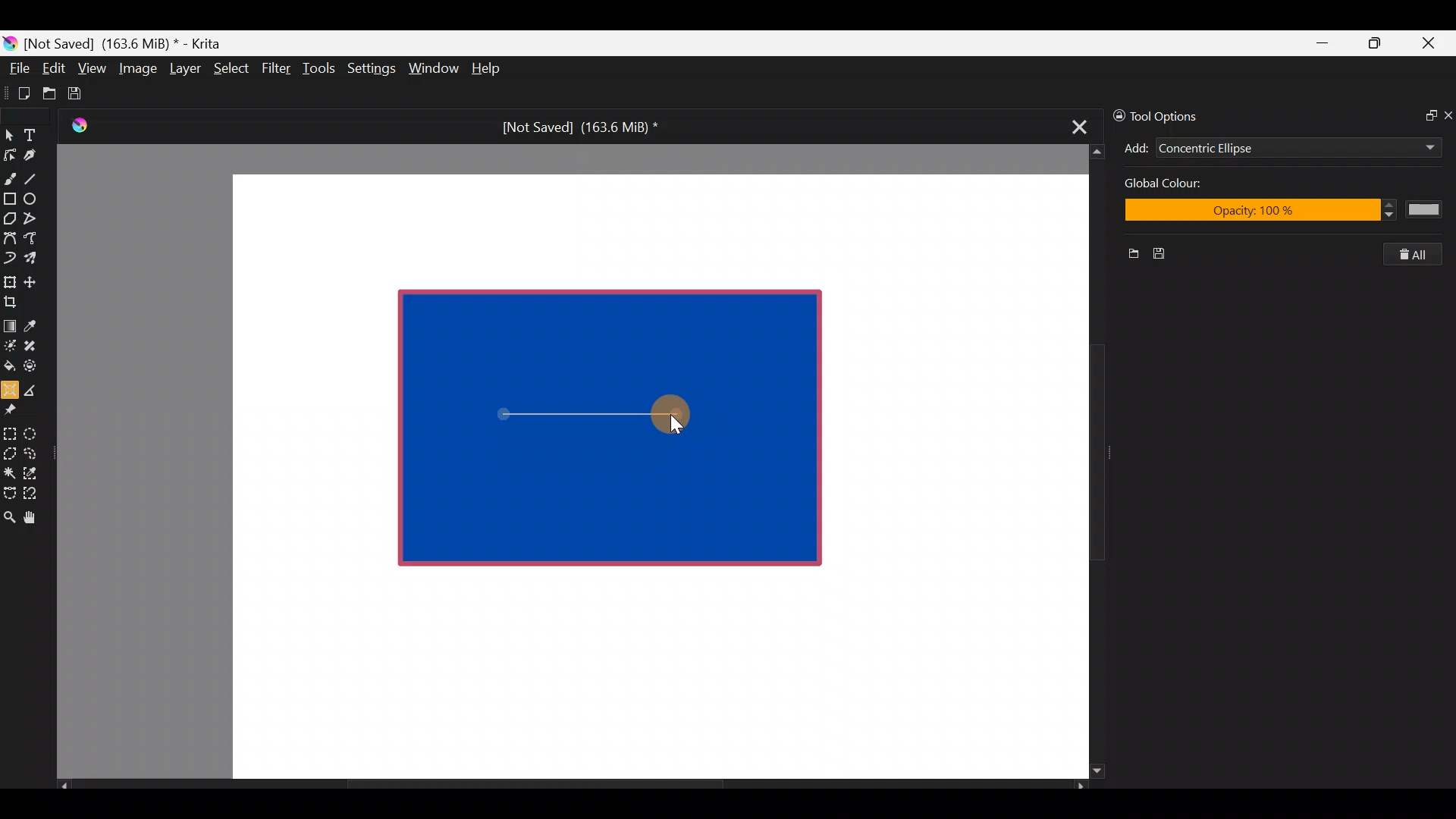  Describe the element at coordinates (1178, 116) in the screenshot. I see `Tool options` at that location.